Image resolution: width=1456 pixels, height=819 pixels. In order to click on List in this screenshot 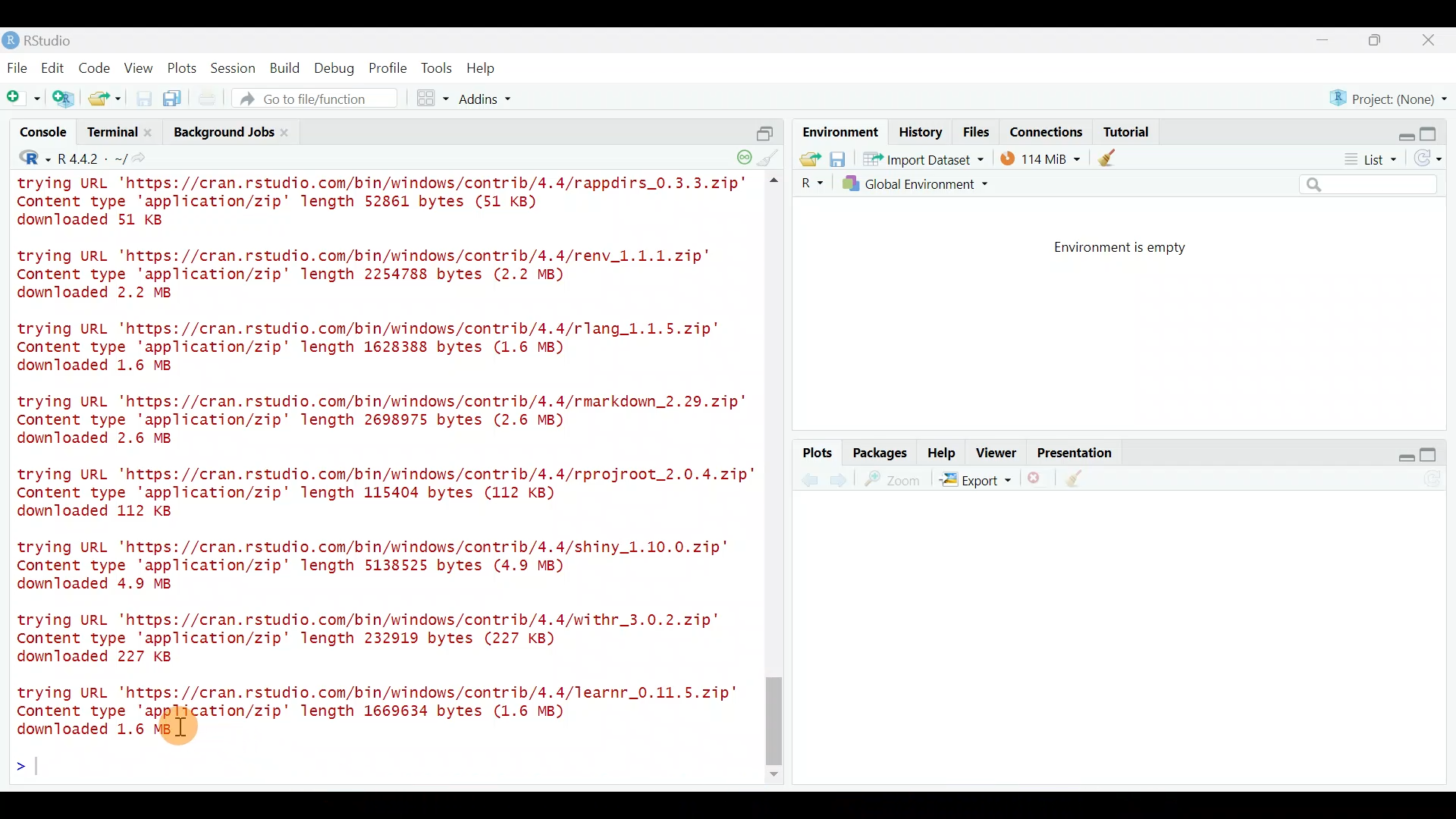, I will do `click(1369, 160)`.